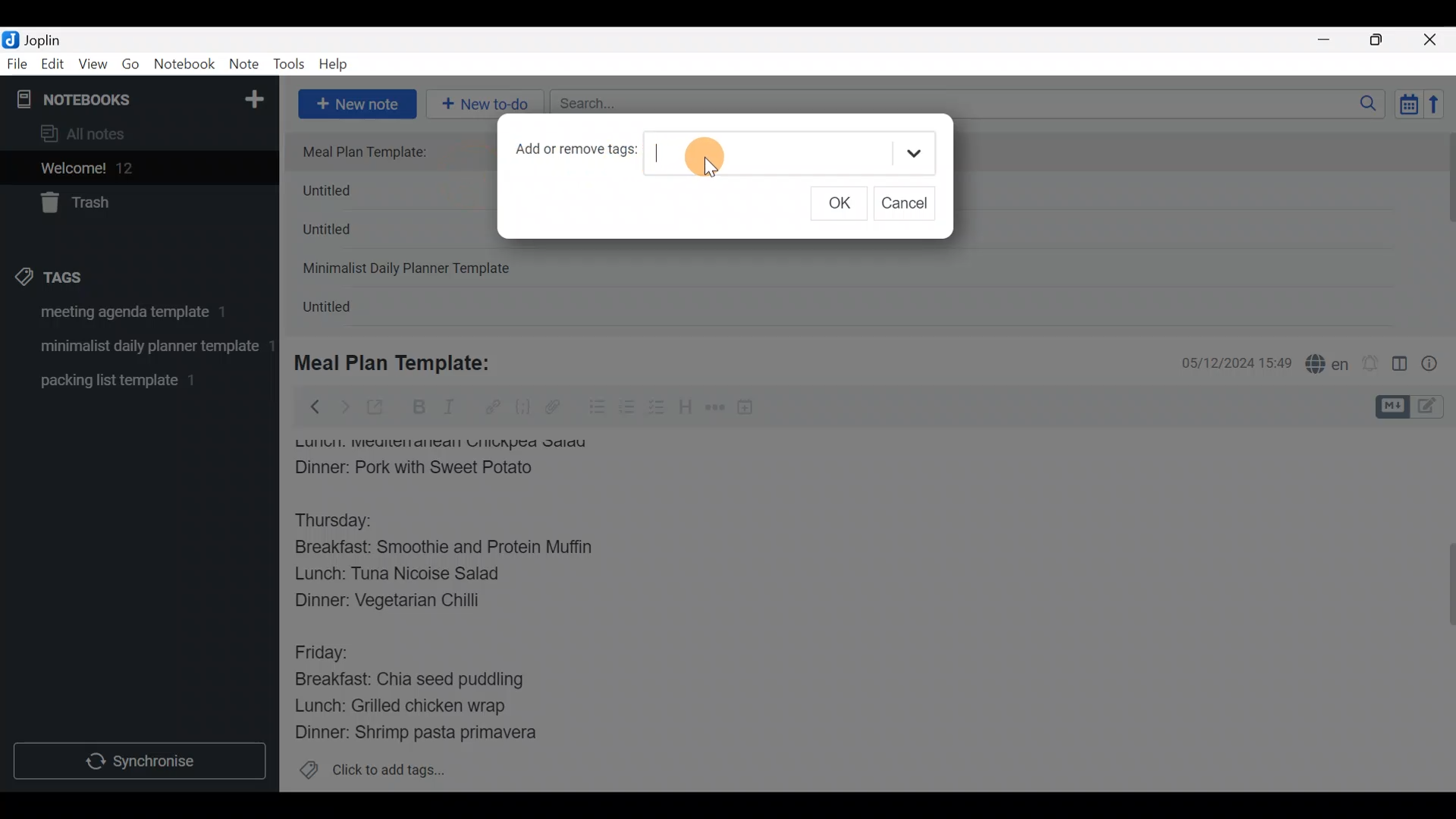  What do you see at coordinates (447, 410) in the screenshot?
I see `Italic` at bounding box center [447, 410].